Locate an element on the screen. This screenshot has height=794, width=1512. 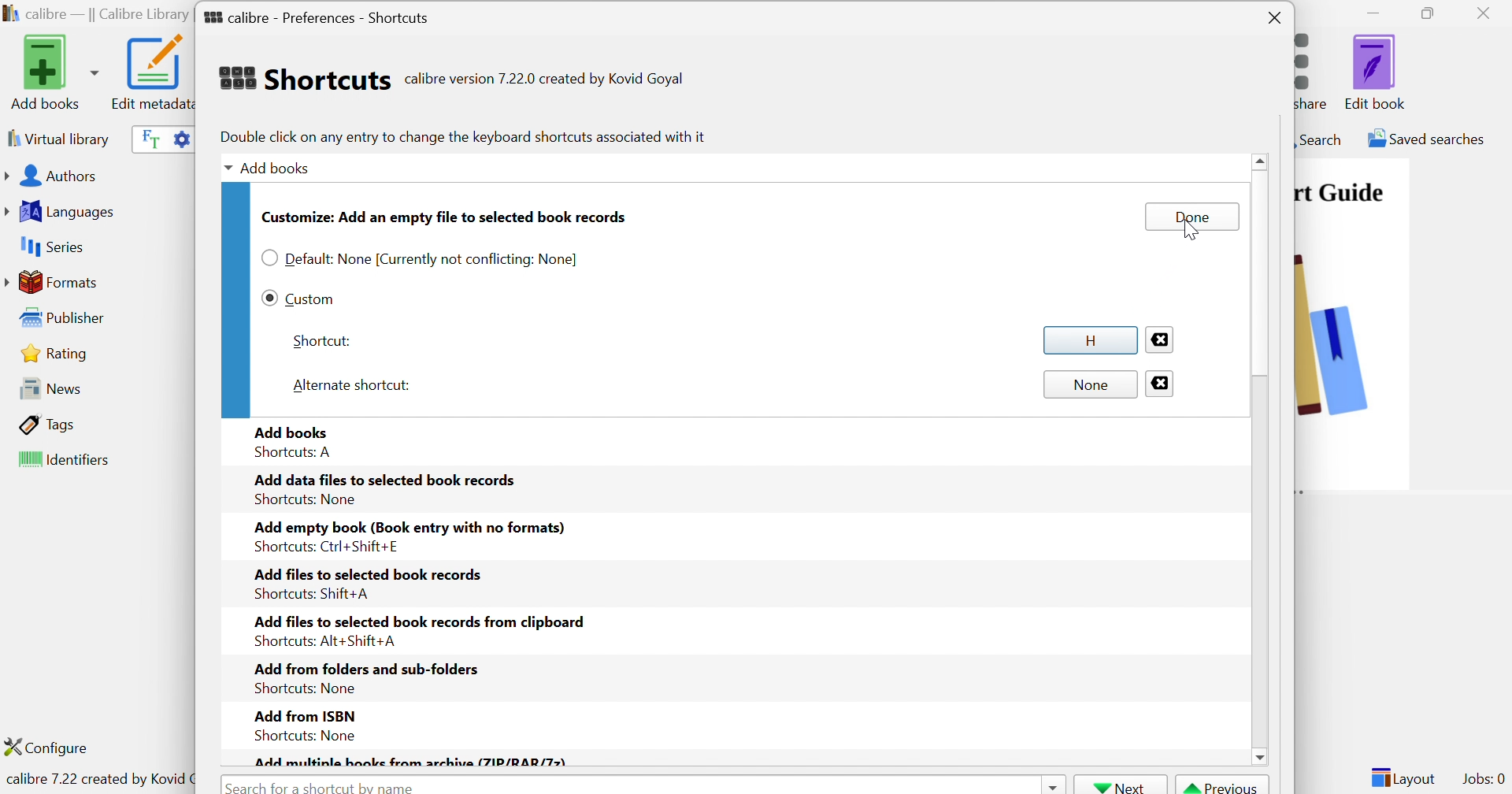
Add books is located at coordinates (293, 430).